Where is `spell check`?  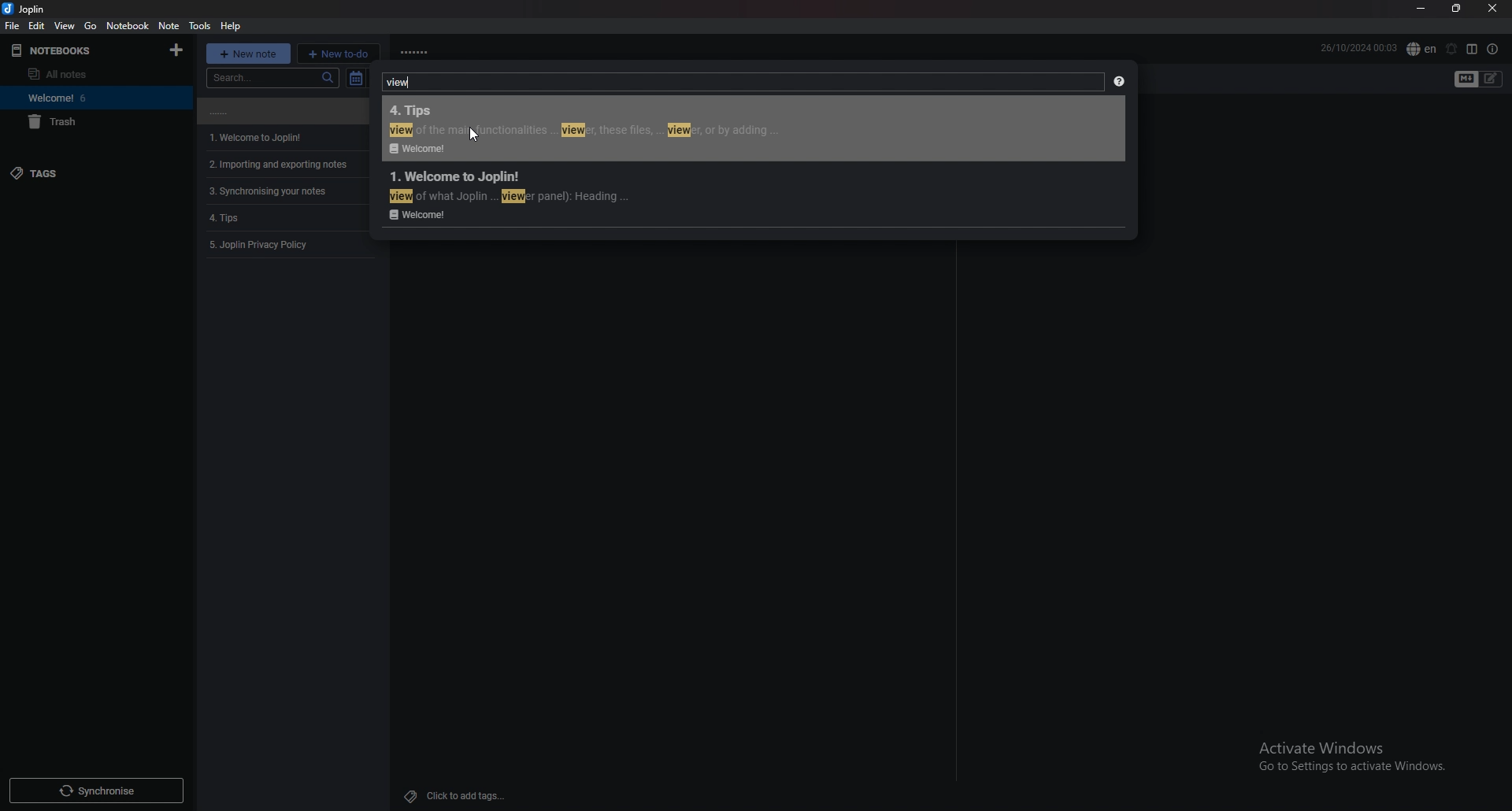
spell check is located at coordinates (1421, 48).